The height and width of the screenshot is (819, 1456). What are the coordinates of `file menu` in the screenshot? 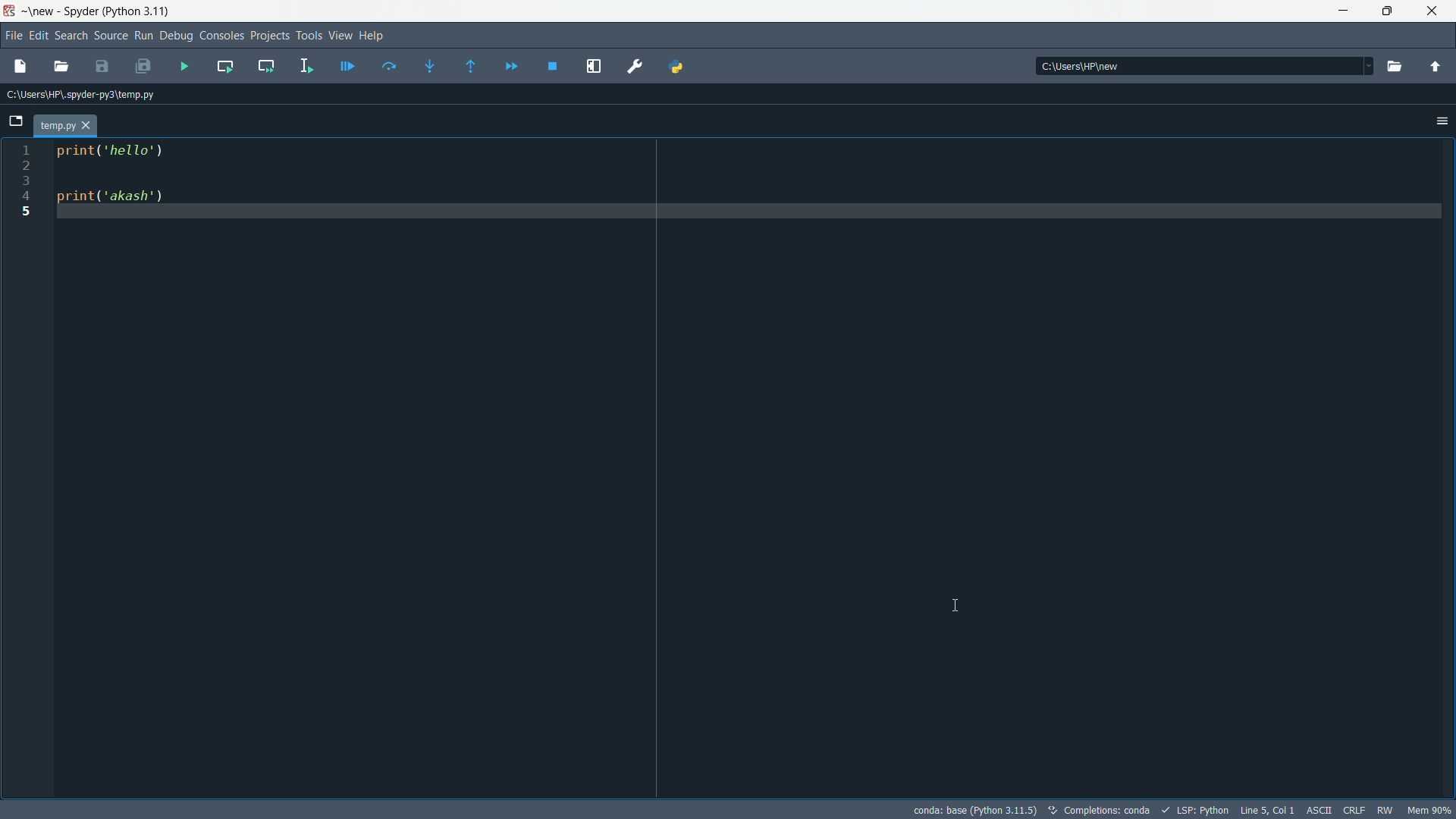 It's located at (13, 36).